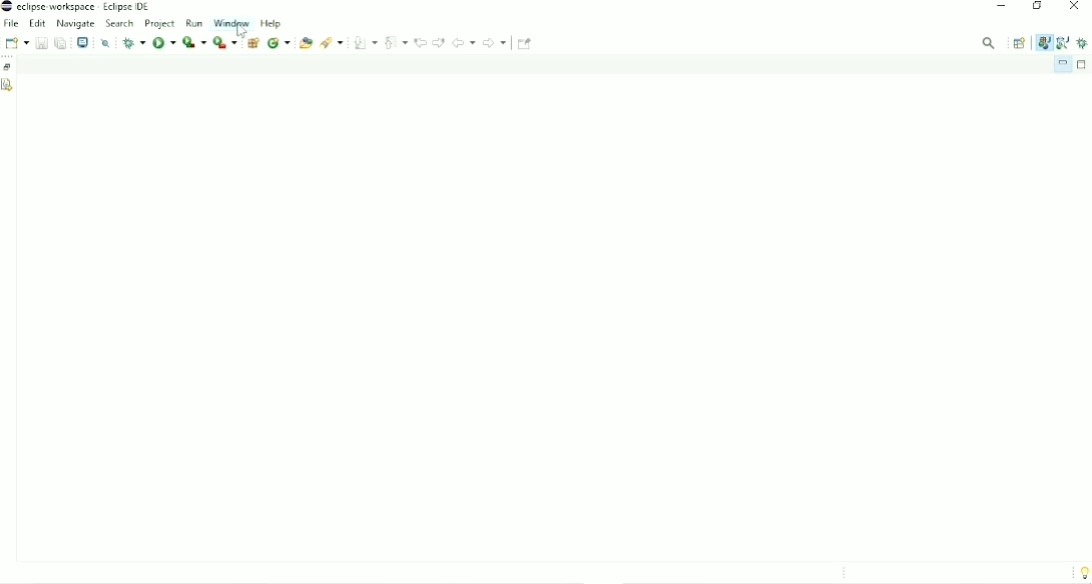 This screenshot has height=584, width=1092. Describe the element at coordinates (84, 42) in the screenshot. I see `Open a terminal` at that location.